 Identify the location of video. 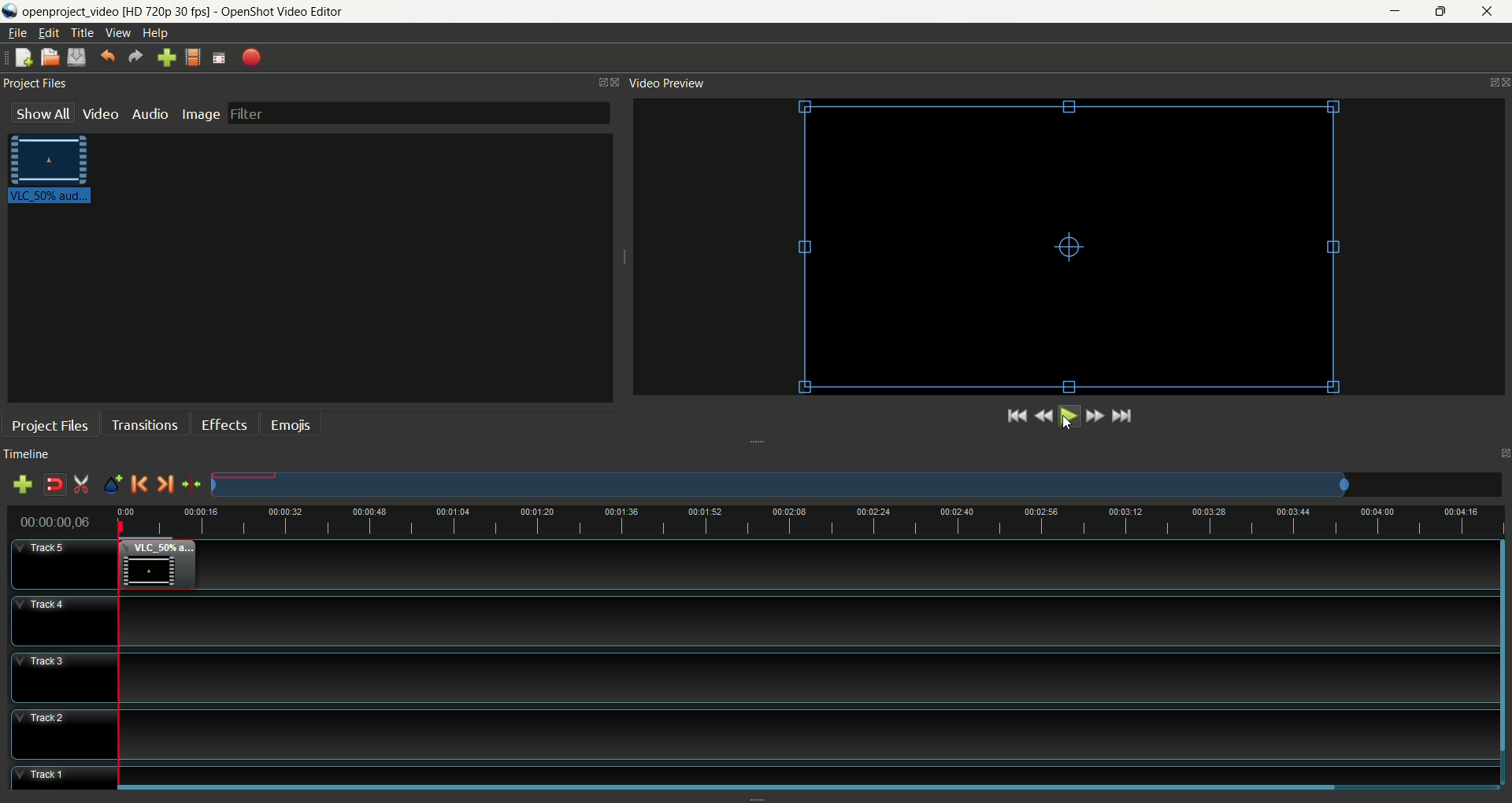
(102, 113).